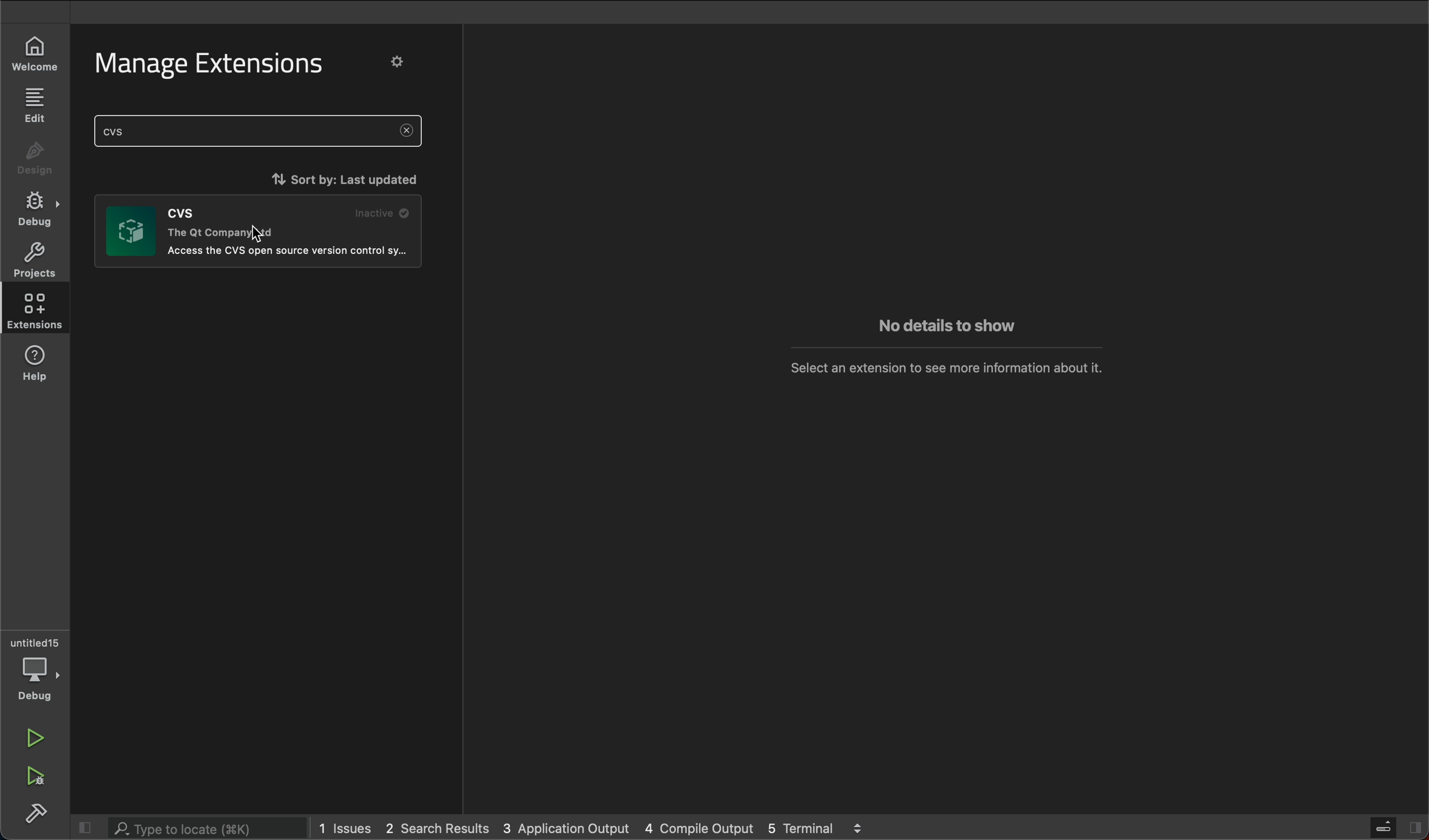 The width and height of the screenshot is (1429, 840). Describe the element at coordinates (946, 327) in the screenshot. I see `no extension message` at that location.